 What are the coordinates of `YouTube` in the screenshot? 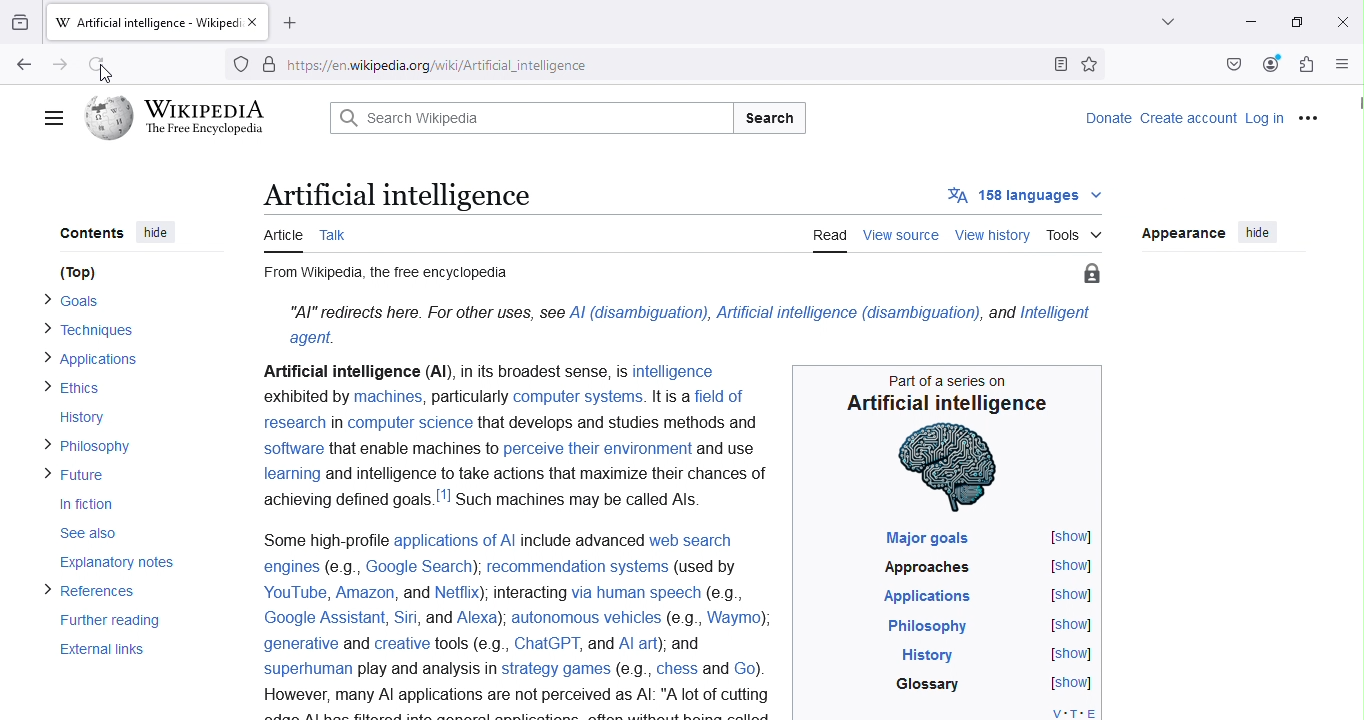 It's located at (287, 592).